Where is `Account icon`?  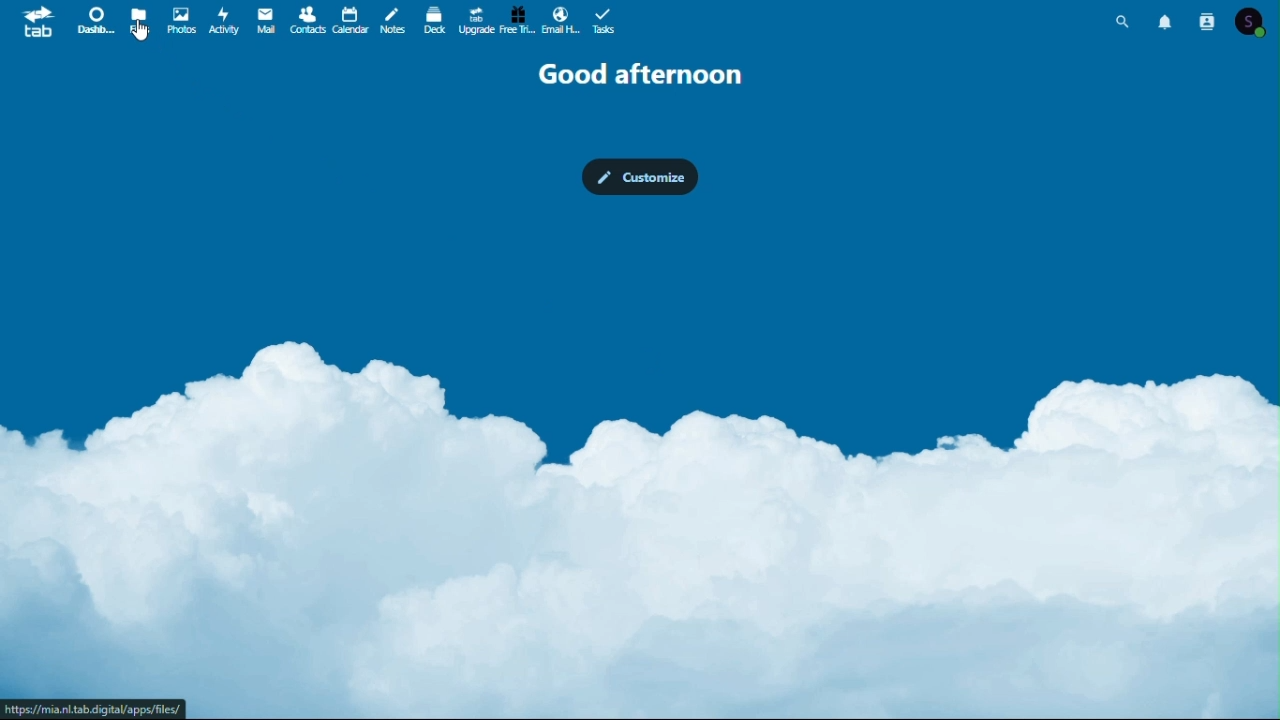 Account icon is located at coordinates (1250, 20).